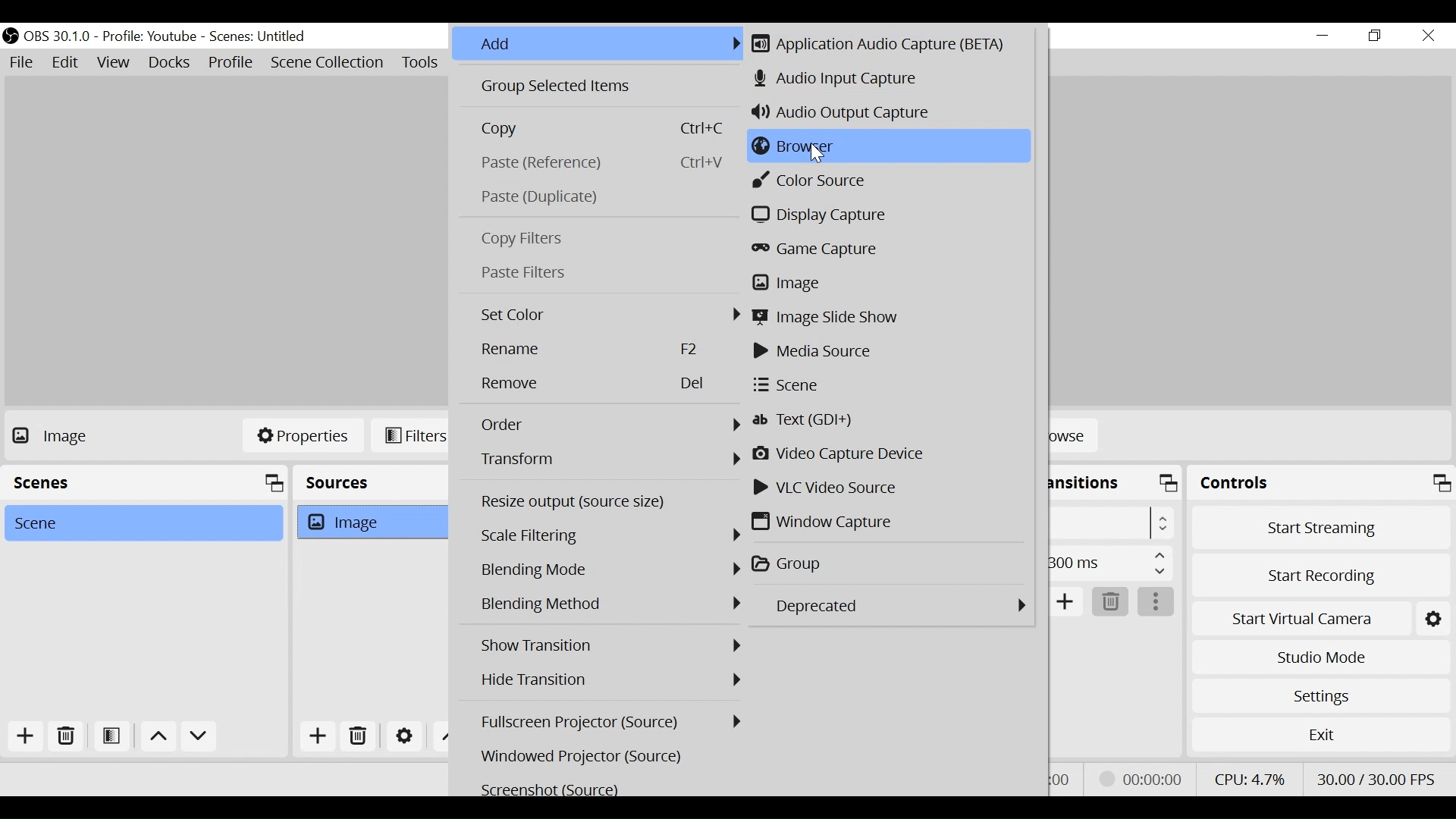 The width and height of the screenshot is (1456, 819). Describe the element at coordinates (889, 284) in the screenshot. I see `Image` at that location.